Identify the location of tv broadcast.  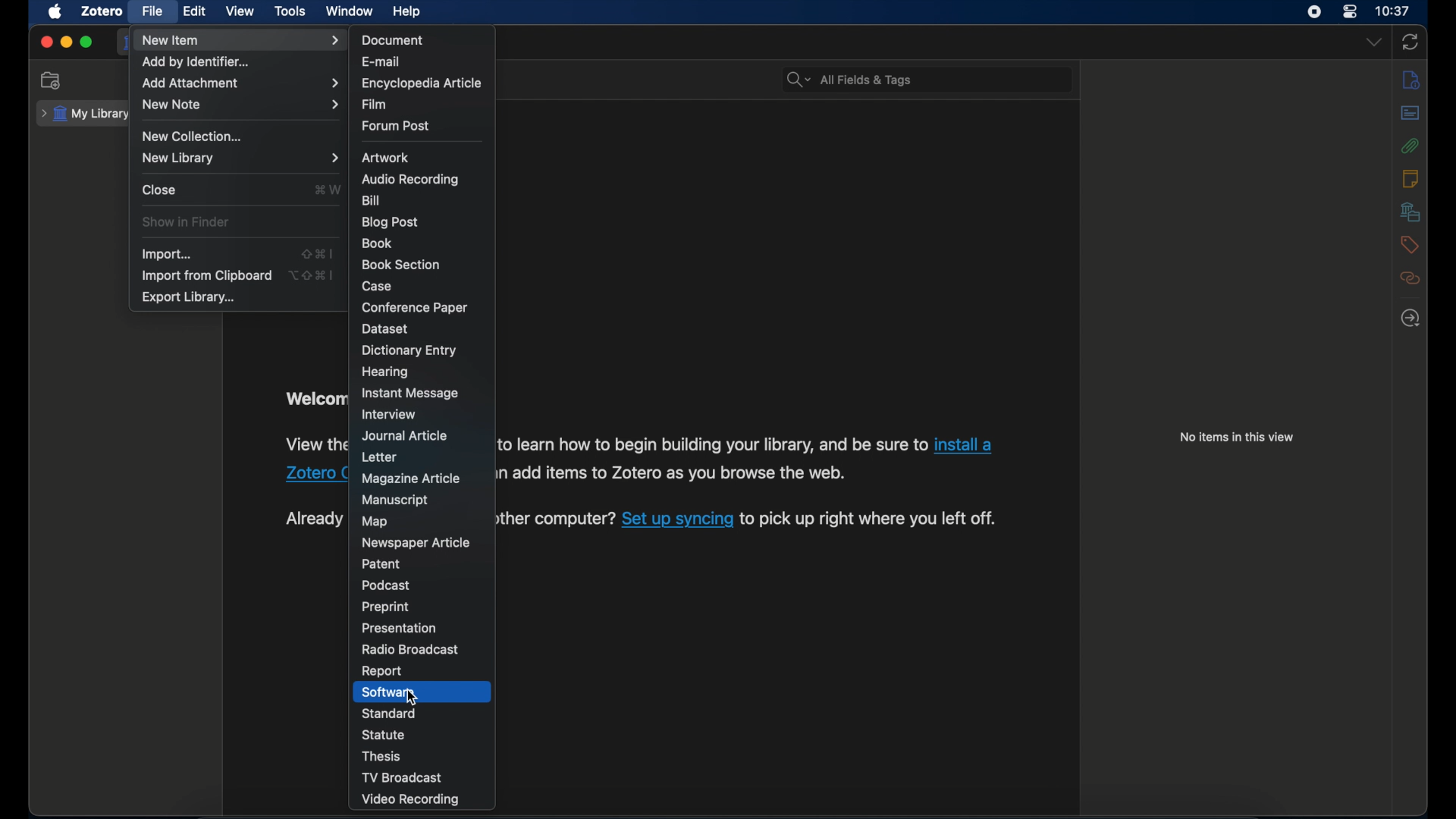
(405, 777).